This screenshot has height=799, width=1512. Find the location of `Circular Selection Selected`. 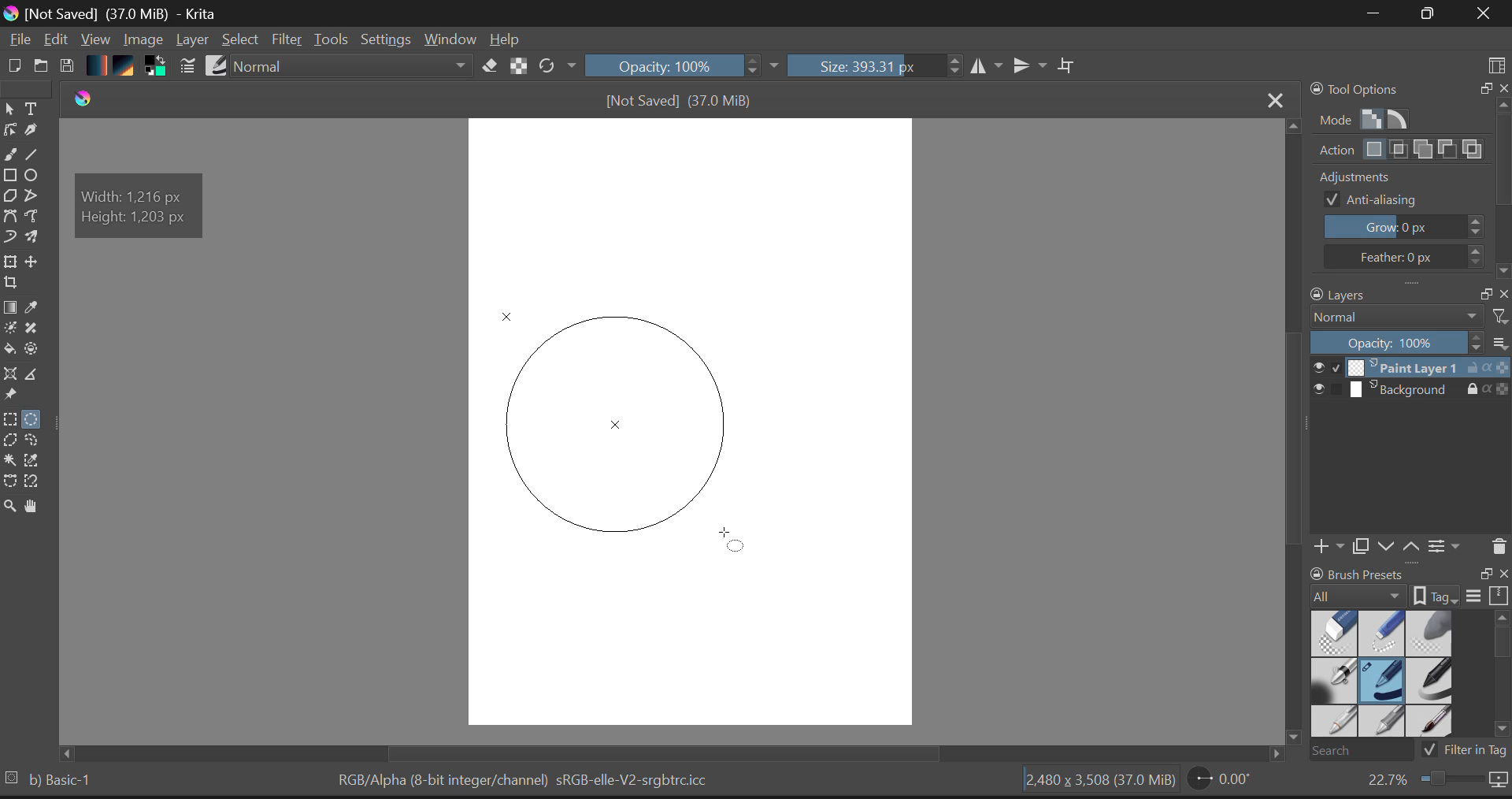

Circular Selection Selected is located at coordinates (34, 416).